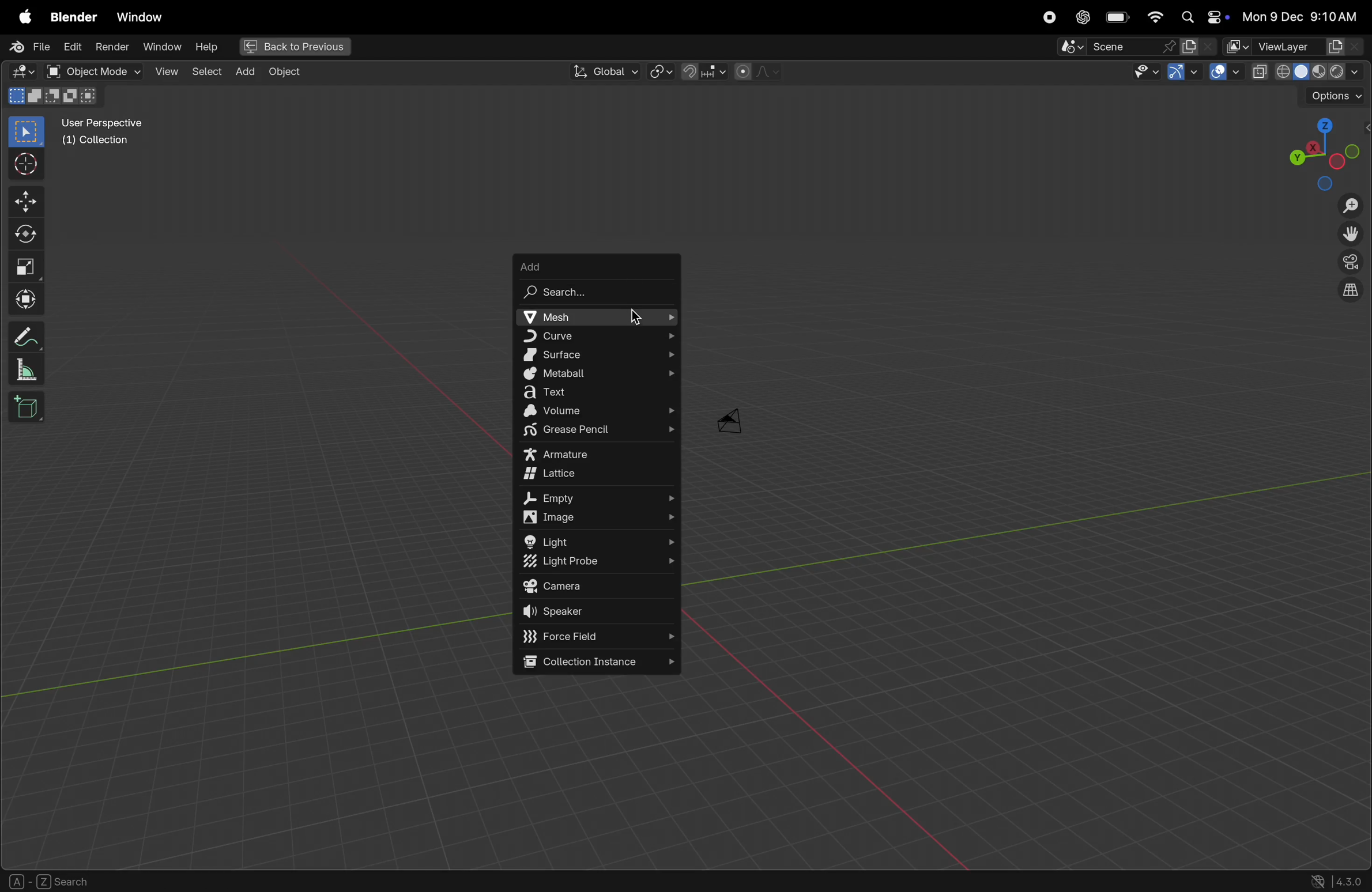 The height and width of the screenshot is (892, 1372). I want to click on global, so click(602, 72).